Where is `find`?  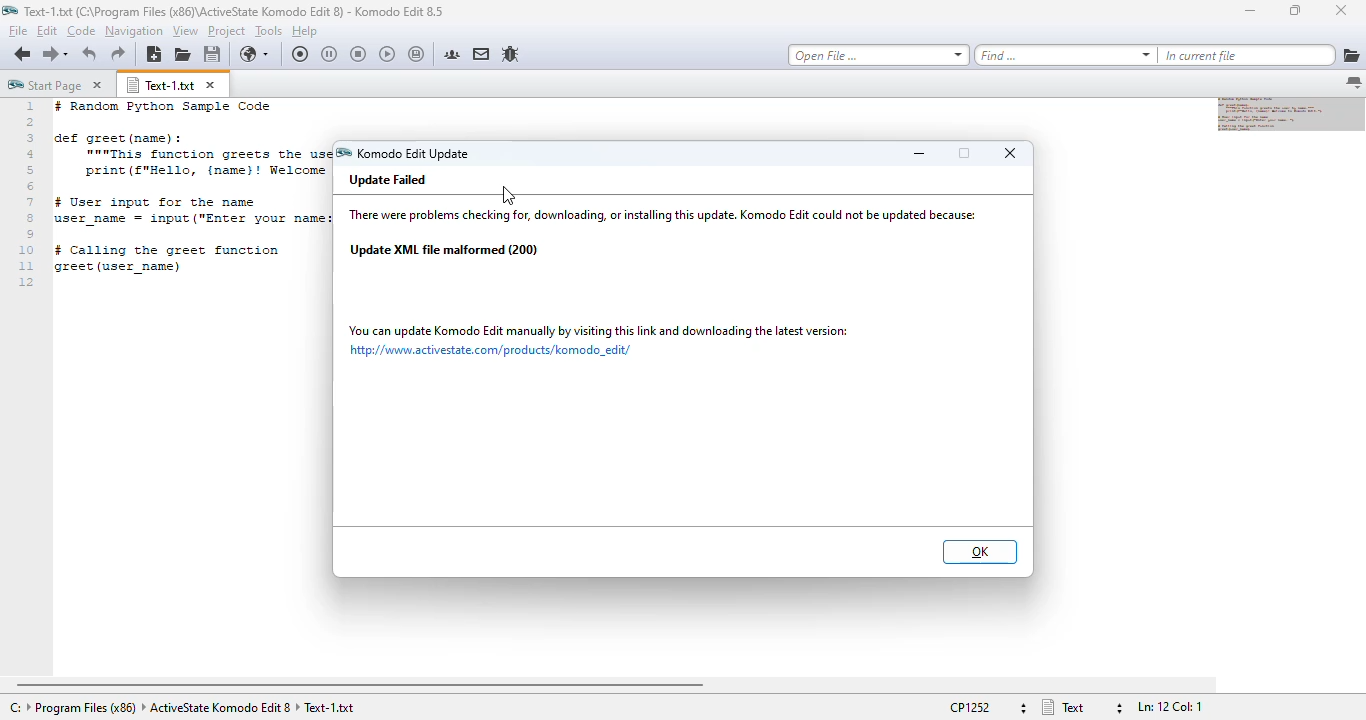 find is located at coordinates (1065, 55).